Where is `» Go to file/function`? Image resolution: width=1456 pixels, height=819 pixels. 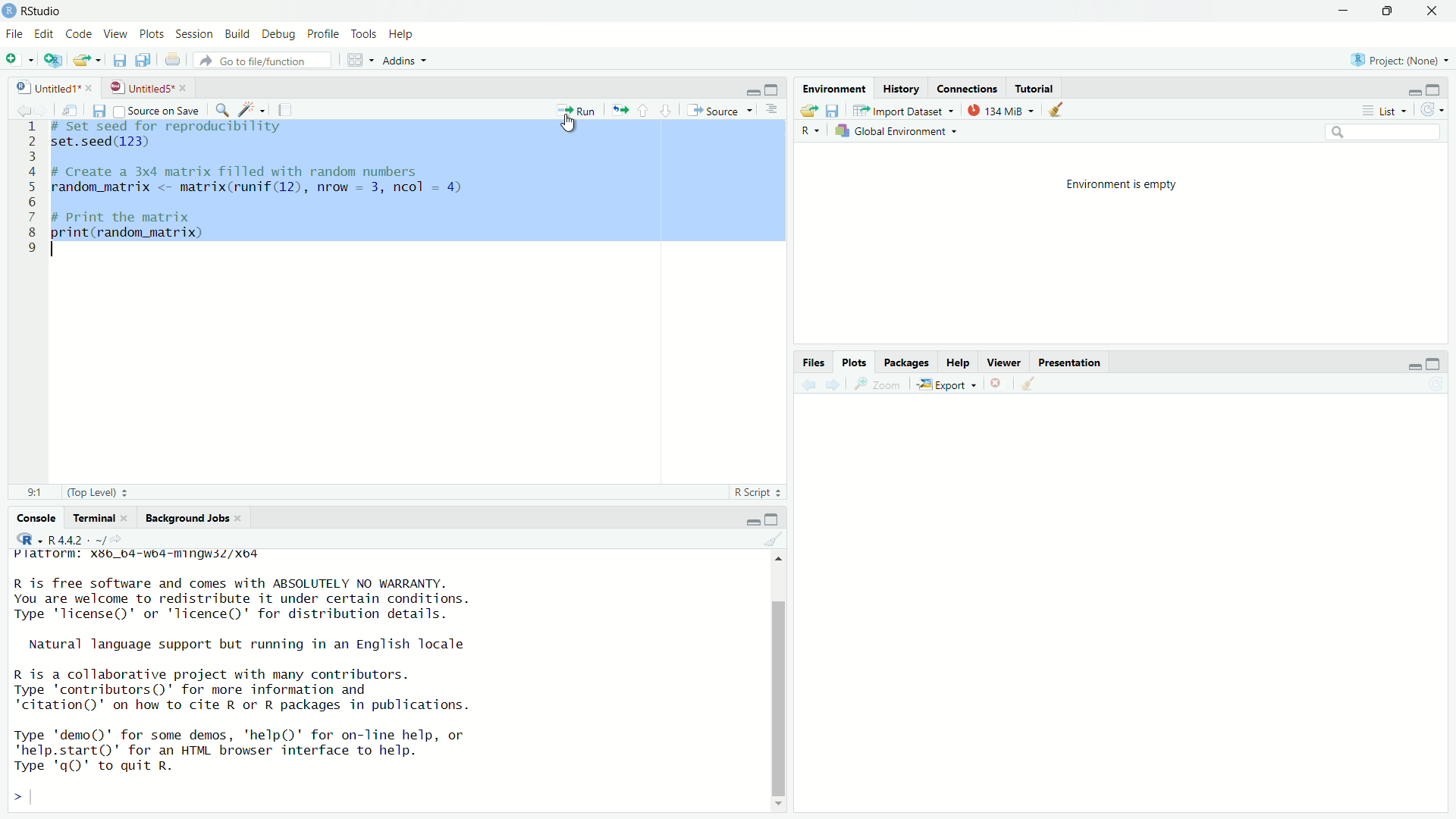 » Go to file/function is located at coordinates (255, 60).